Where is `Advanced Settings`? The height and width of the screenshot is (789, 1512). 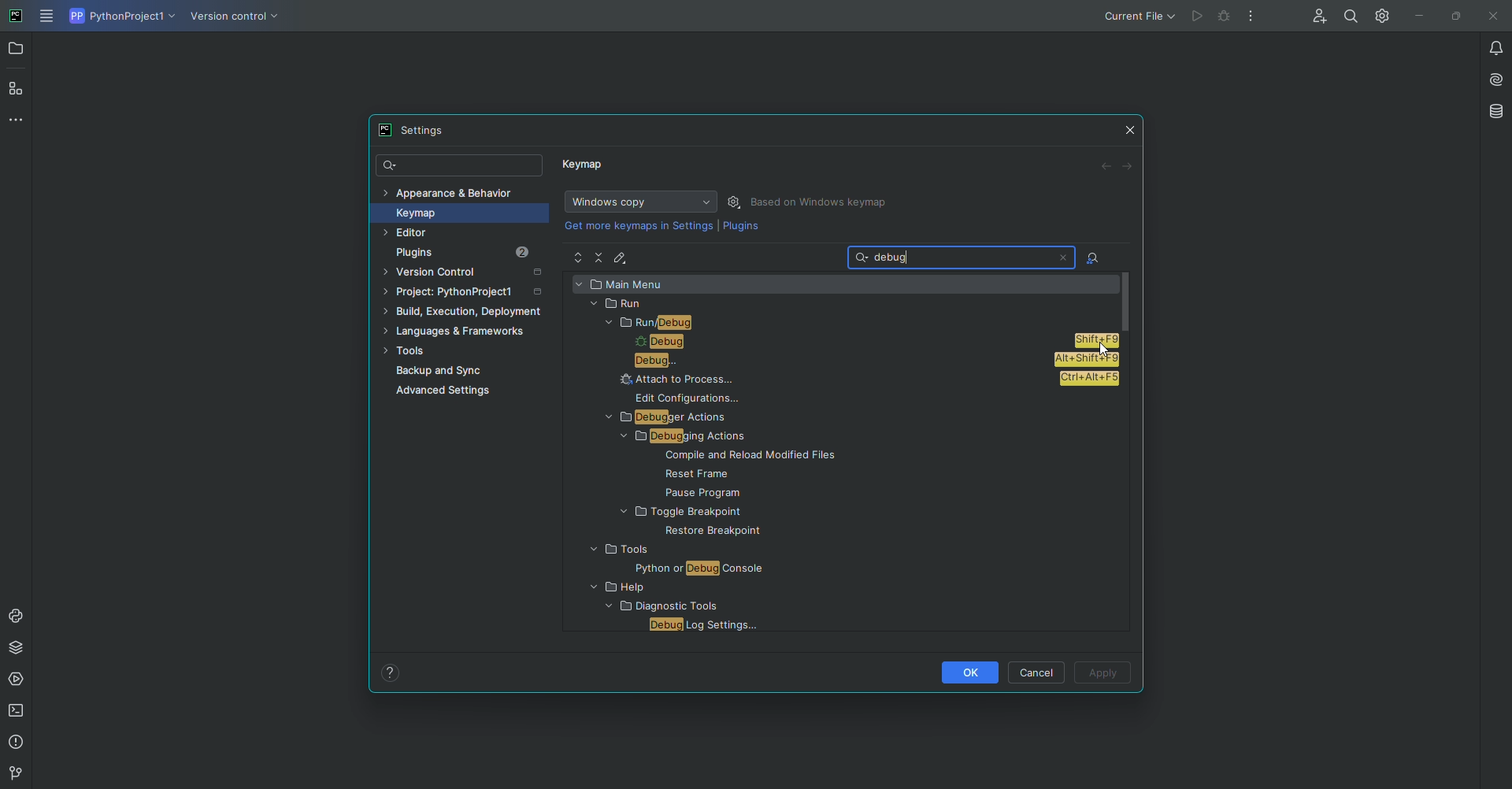 Advanced Settings is located at coordinates (447, 393).